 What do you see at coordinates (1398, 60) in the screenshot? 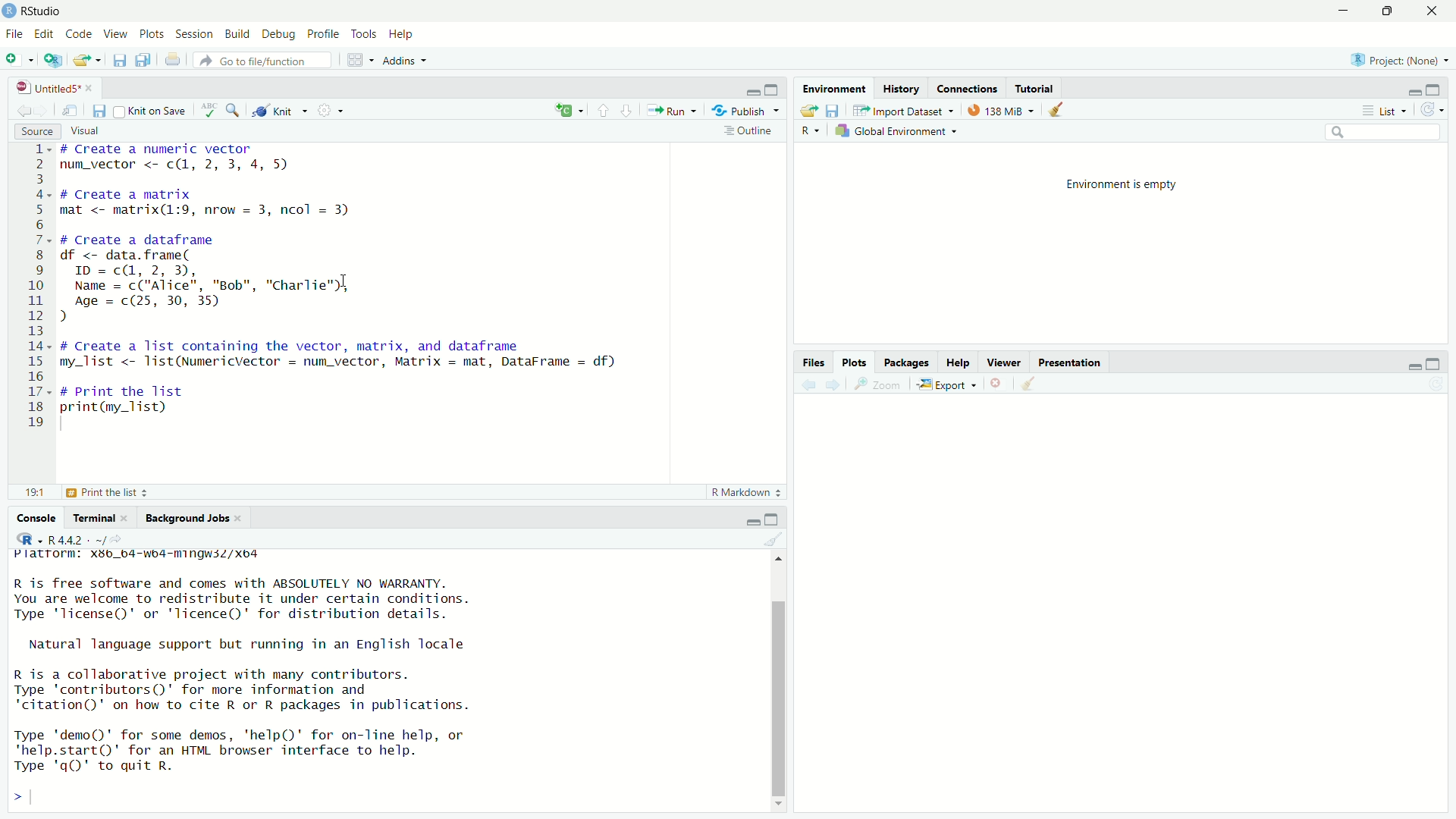
I see `project: (None) ~` at bounding box center [1398, 60].